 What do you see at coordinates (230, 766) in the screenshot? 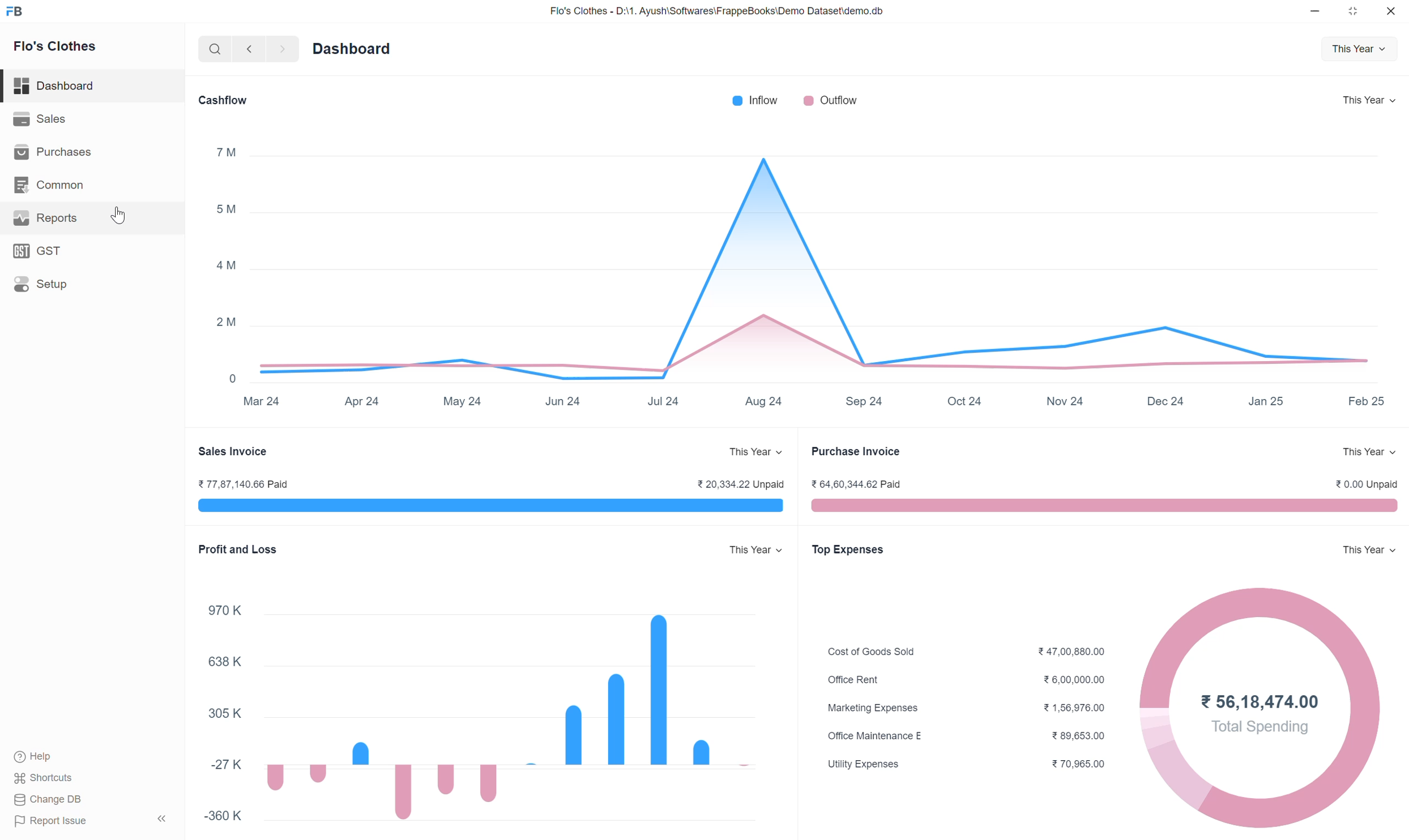
I see `-27 k` at bounding box center [230, 766].